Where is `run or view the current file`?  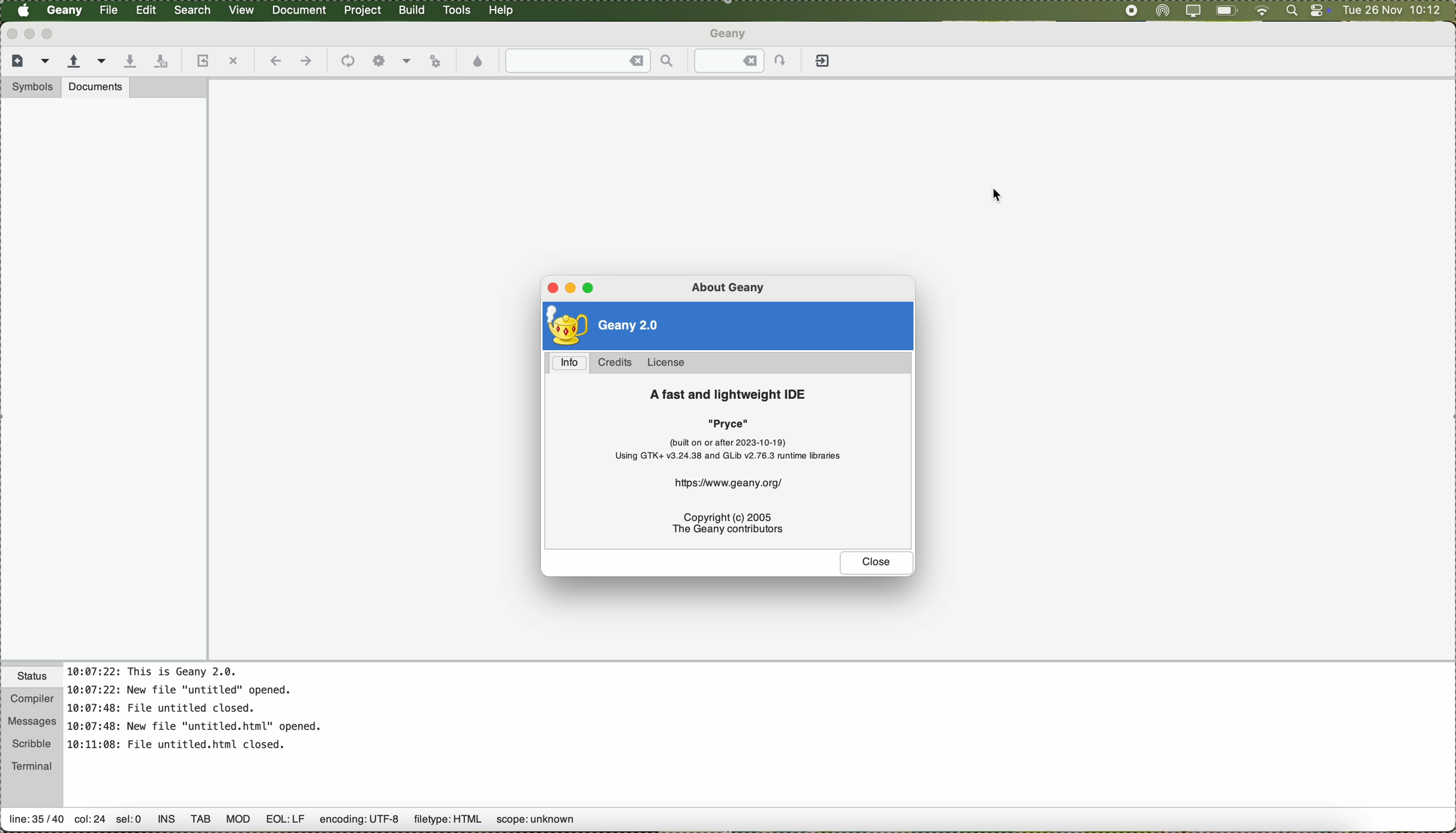 run or view the current file is located at coordinates (439, 62).